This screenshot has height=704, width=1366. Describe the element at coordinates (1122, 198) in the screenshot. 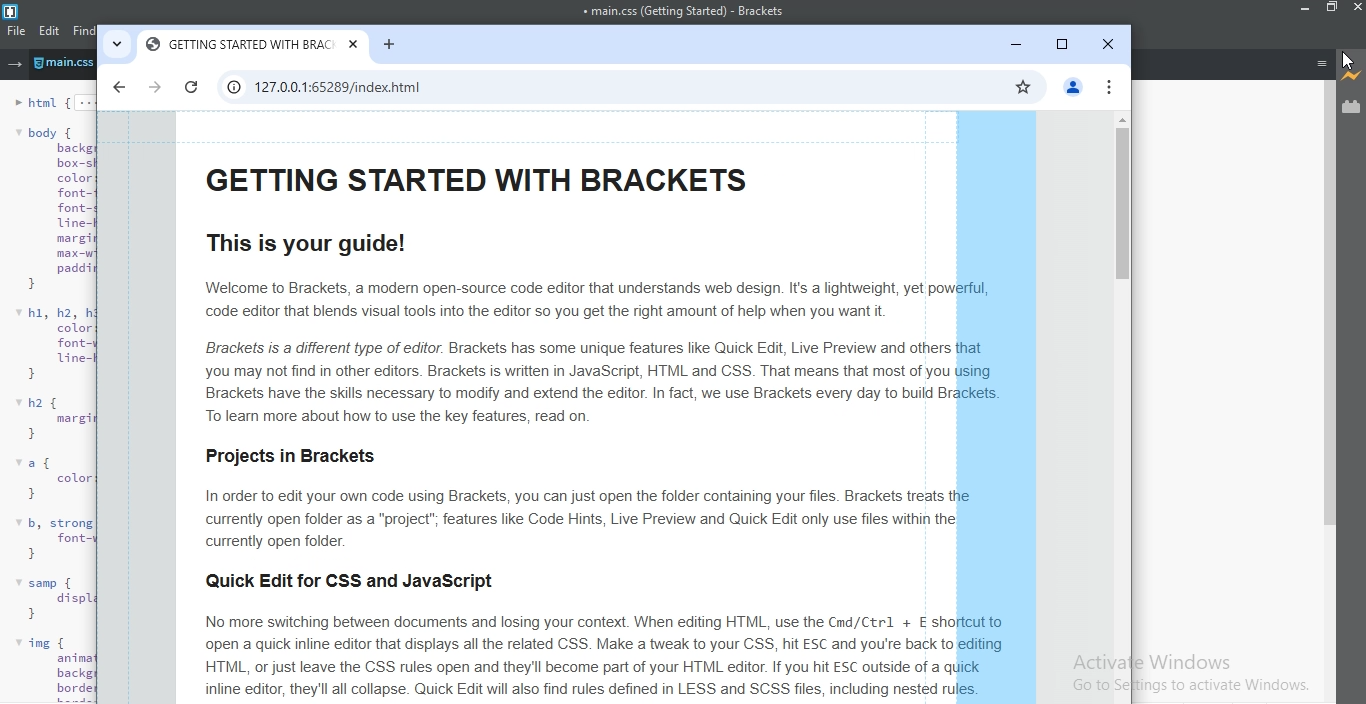

I see `scroll bar` at that location.